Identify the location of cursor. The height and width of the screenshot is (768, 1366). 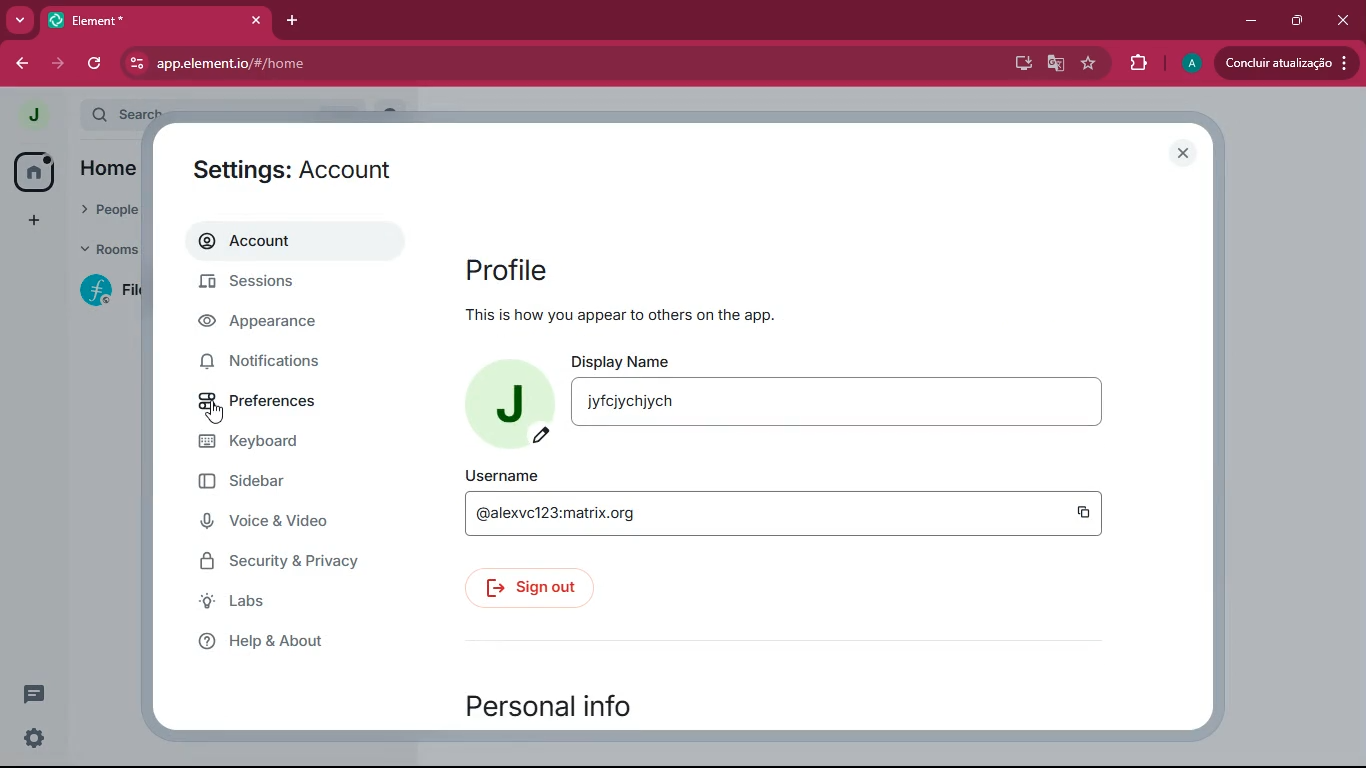
(215, 413).